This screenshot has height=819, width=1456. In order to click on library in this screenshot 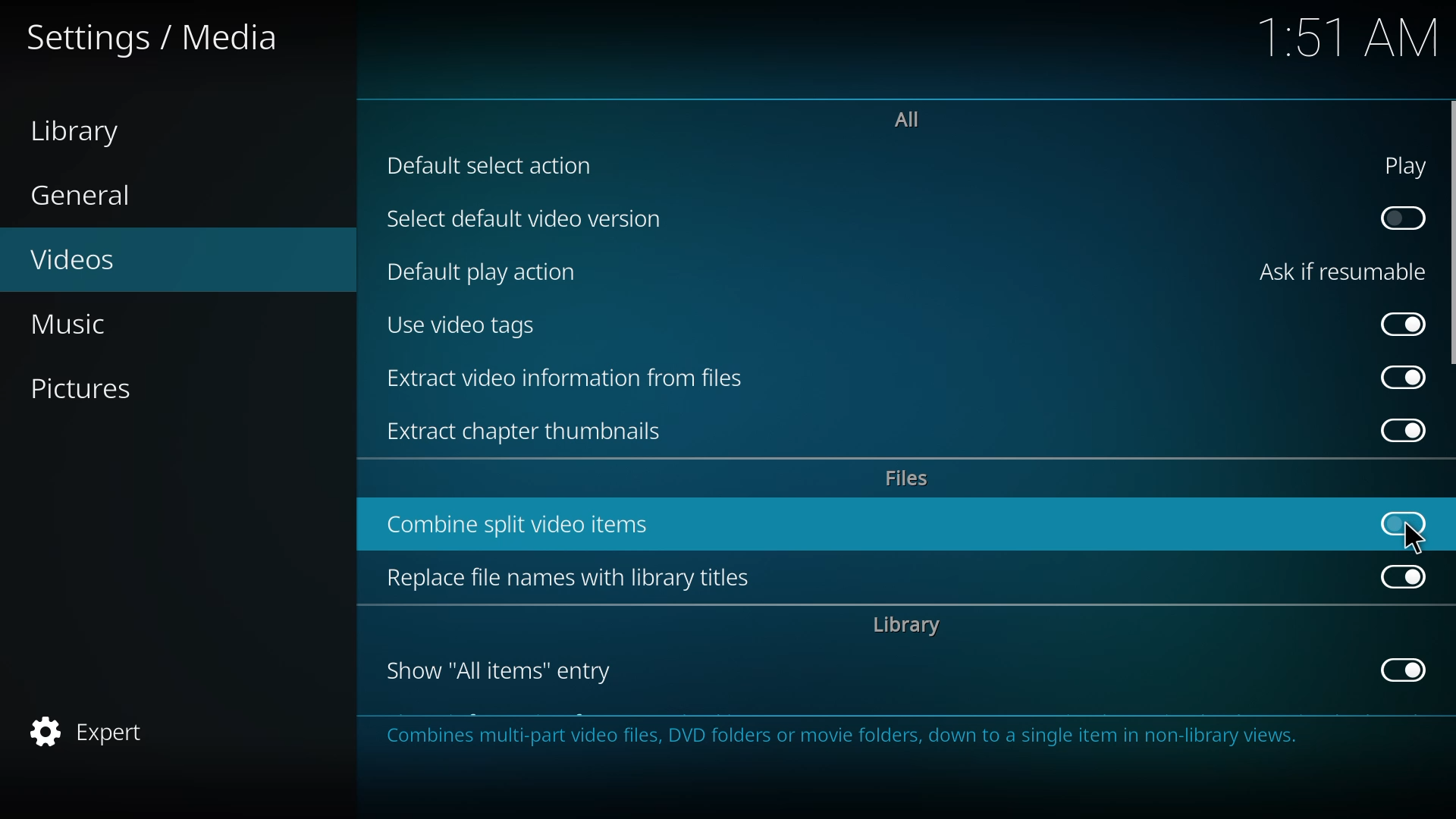, I will do `click(903, 625)`.